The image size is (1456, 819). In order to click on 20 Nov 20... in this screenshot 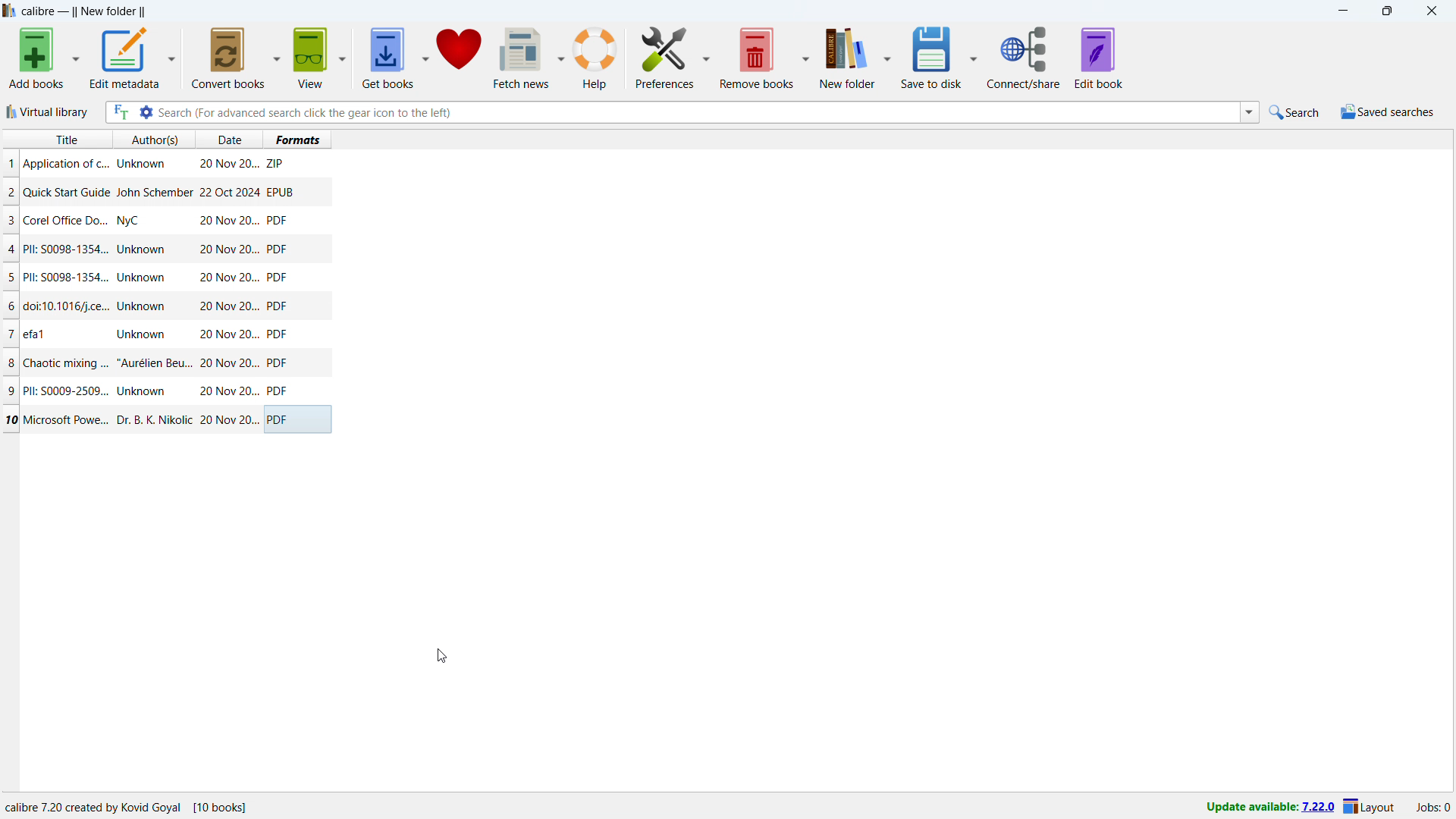, I will do `click(227, 391)`.